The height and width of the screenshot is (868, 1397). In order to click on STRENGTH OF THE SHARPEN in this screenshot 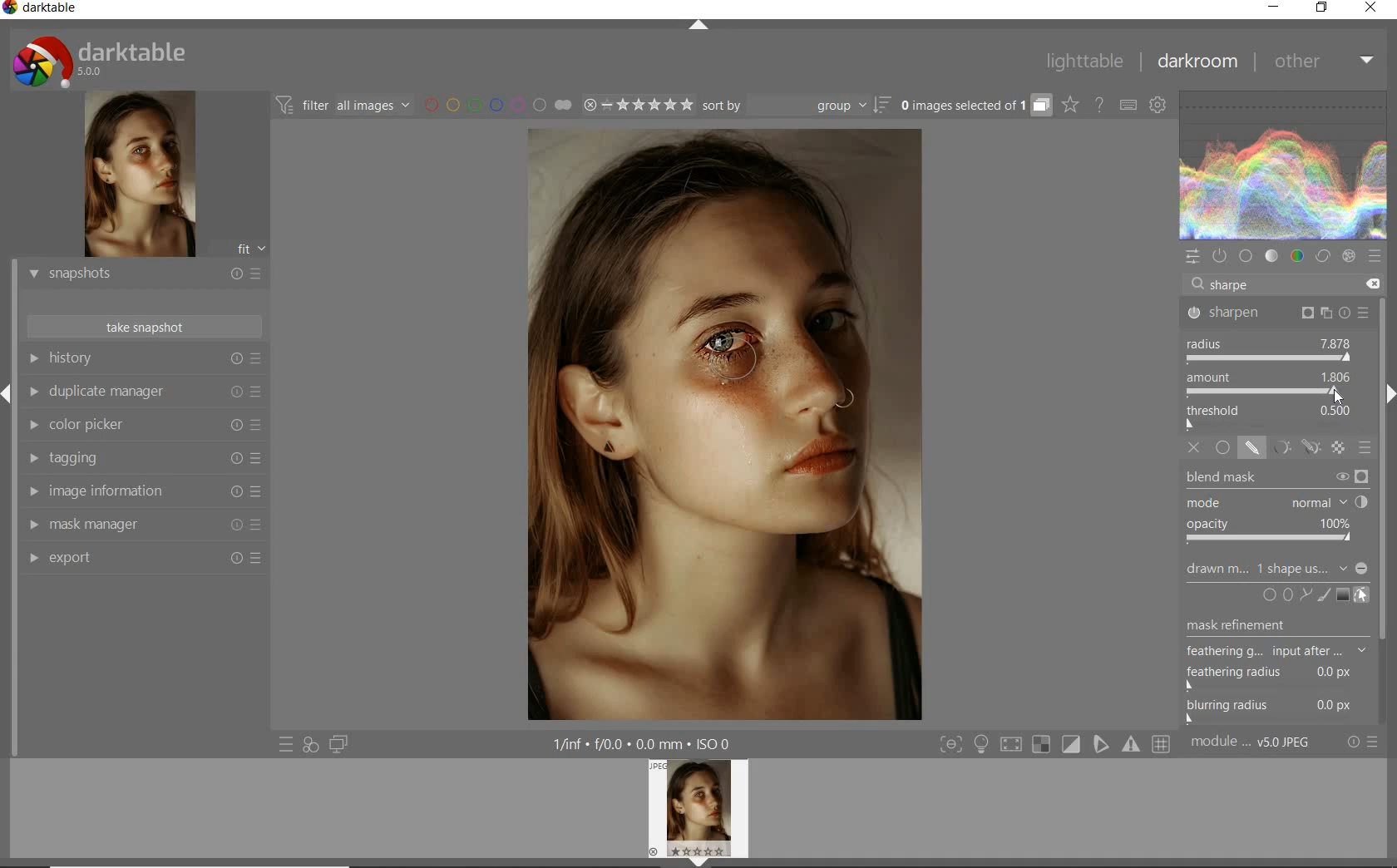, I will do `click(1289, 418)`.